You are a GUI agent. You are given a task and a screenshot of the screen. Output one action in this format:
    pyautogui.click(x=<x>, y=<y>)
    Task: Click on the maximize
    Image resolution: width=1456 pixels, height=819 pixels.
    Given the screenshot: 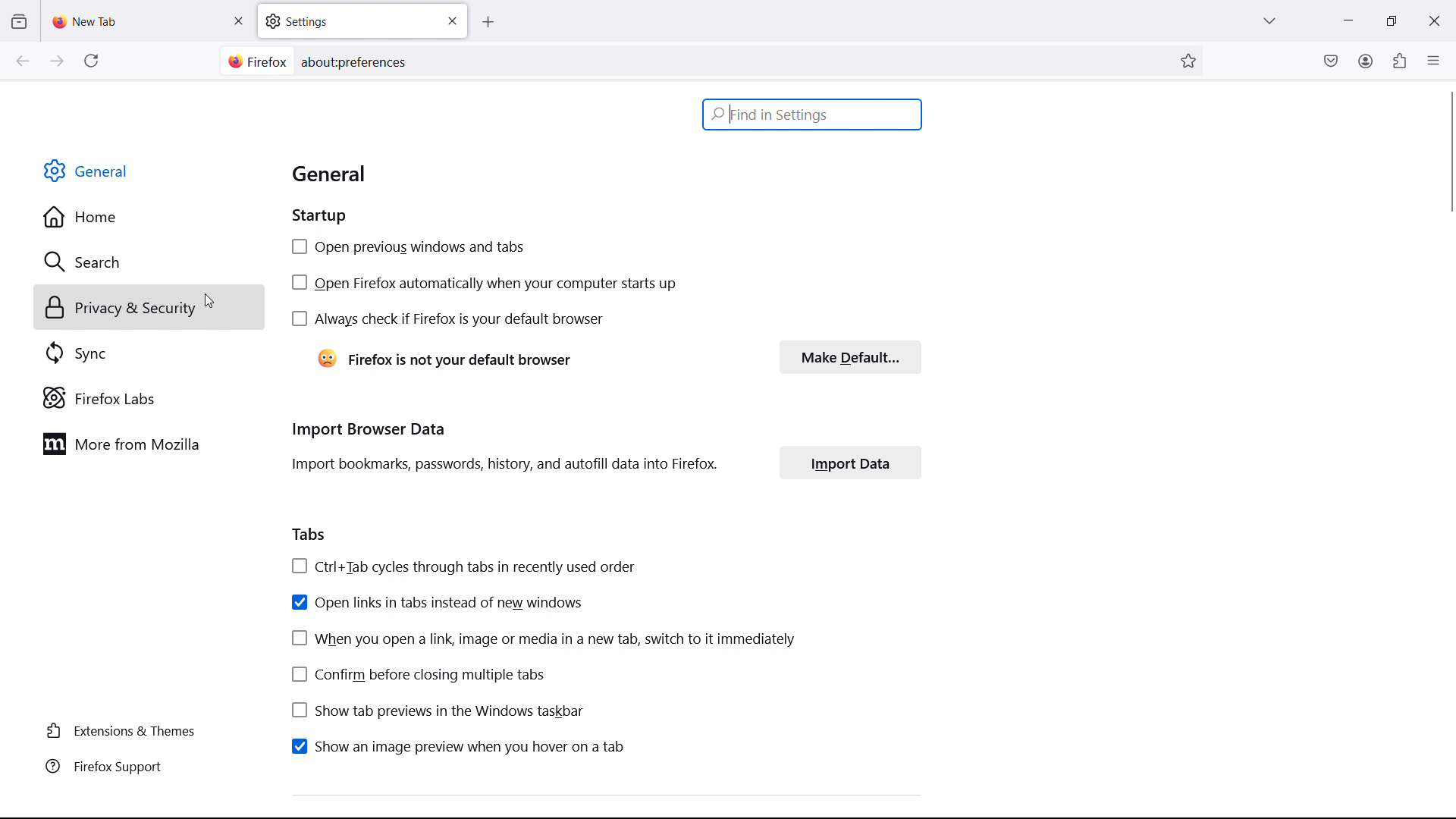 What is the action you would take?
    pyautogui.click(x=1388, y=21)
    